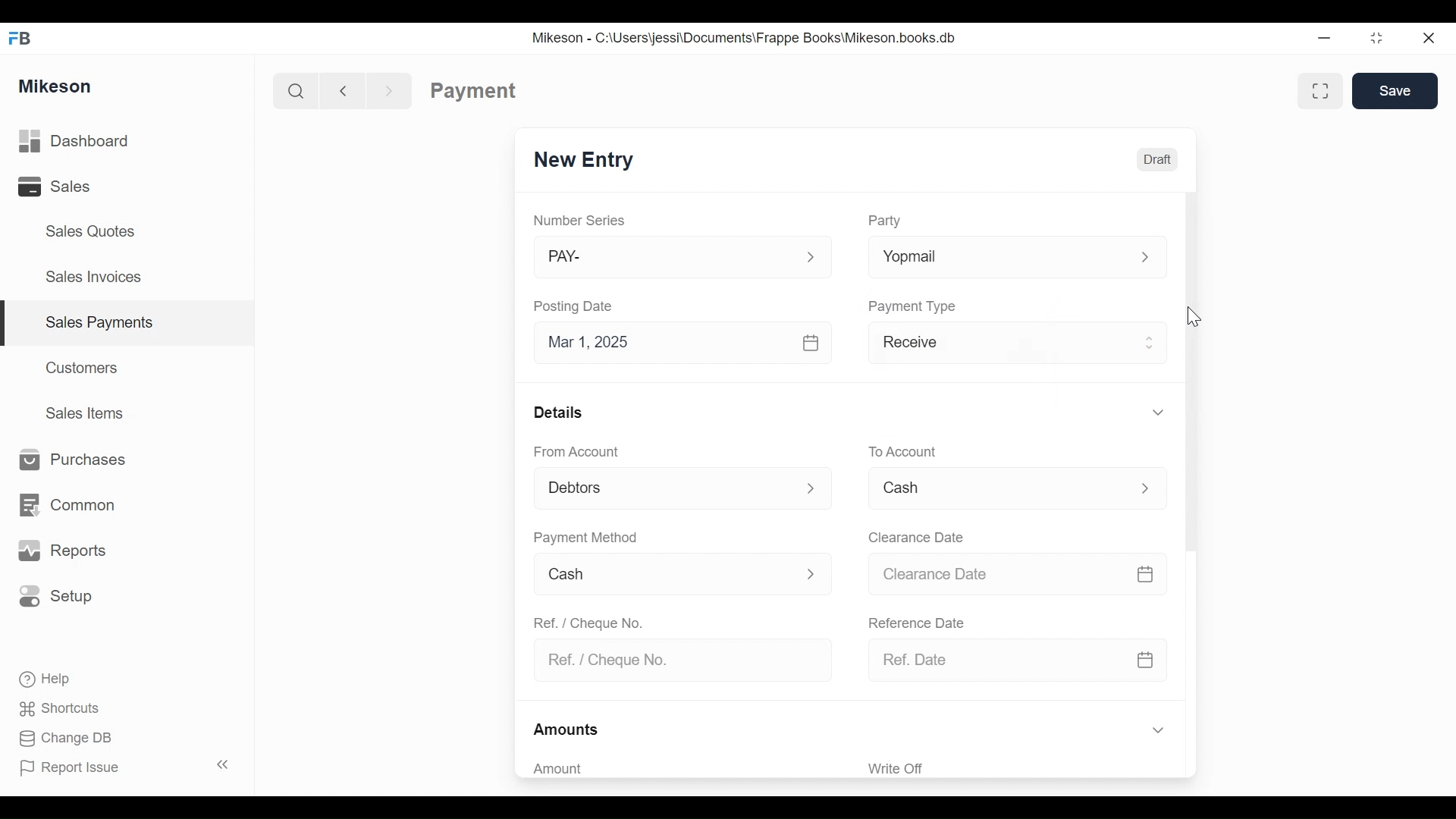 This screenshot has height=819, width=1456. What do you see at coordinates (77, 768) in the screenshot?
I see `Report Issue` at bounding box center [77, 768].